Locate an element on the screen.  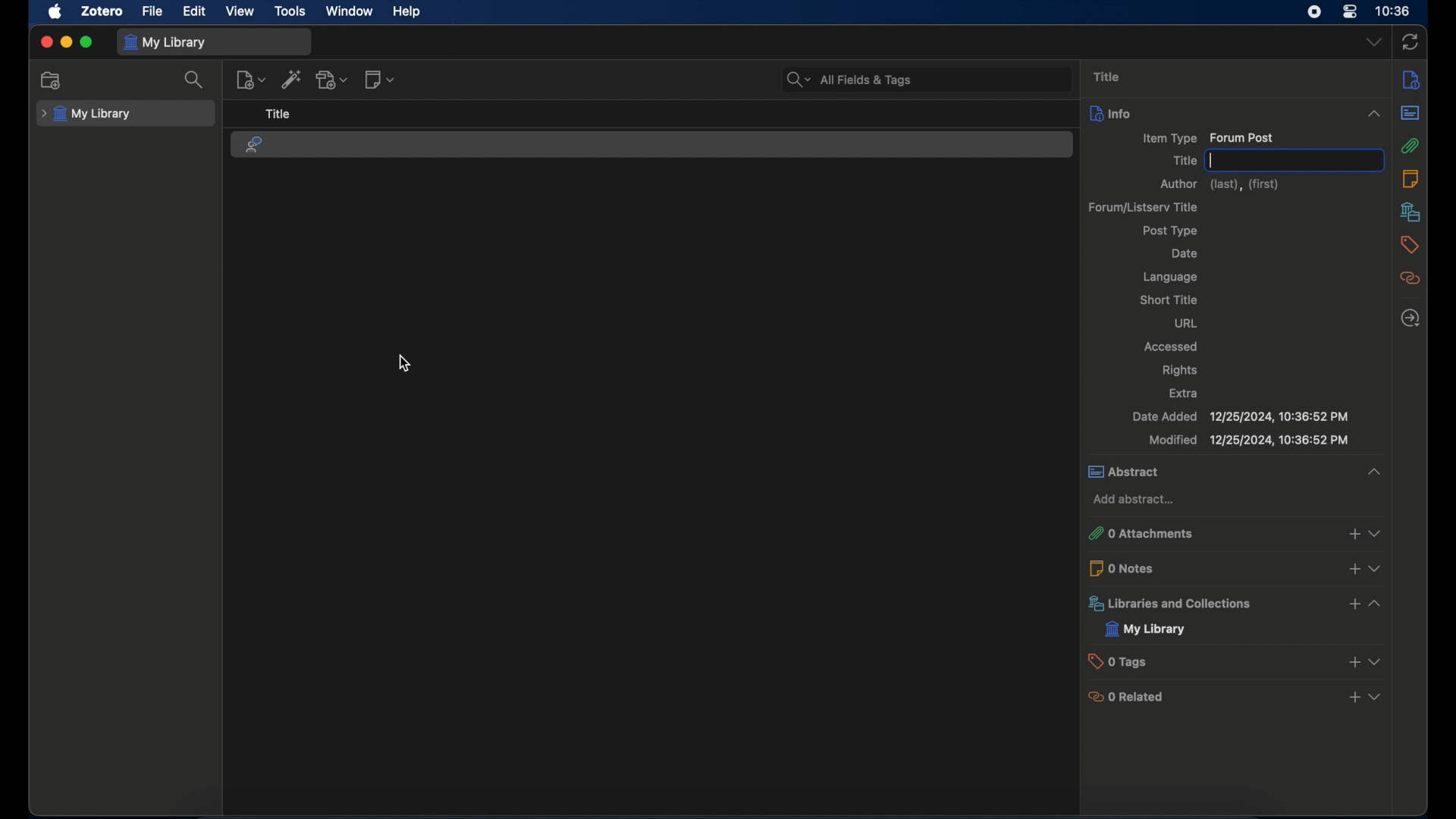
author is located at coordinates (1219, 185).